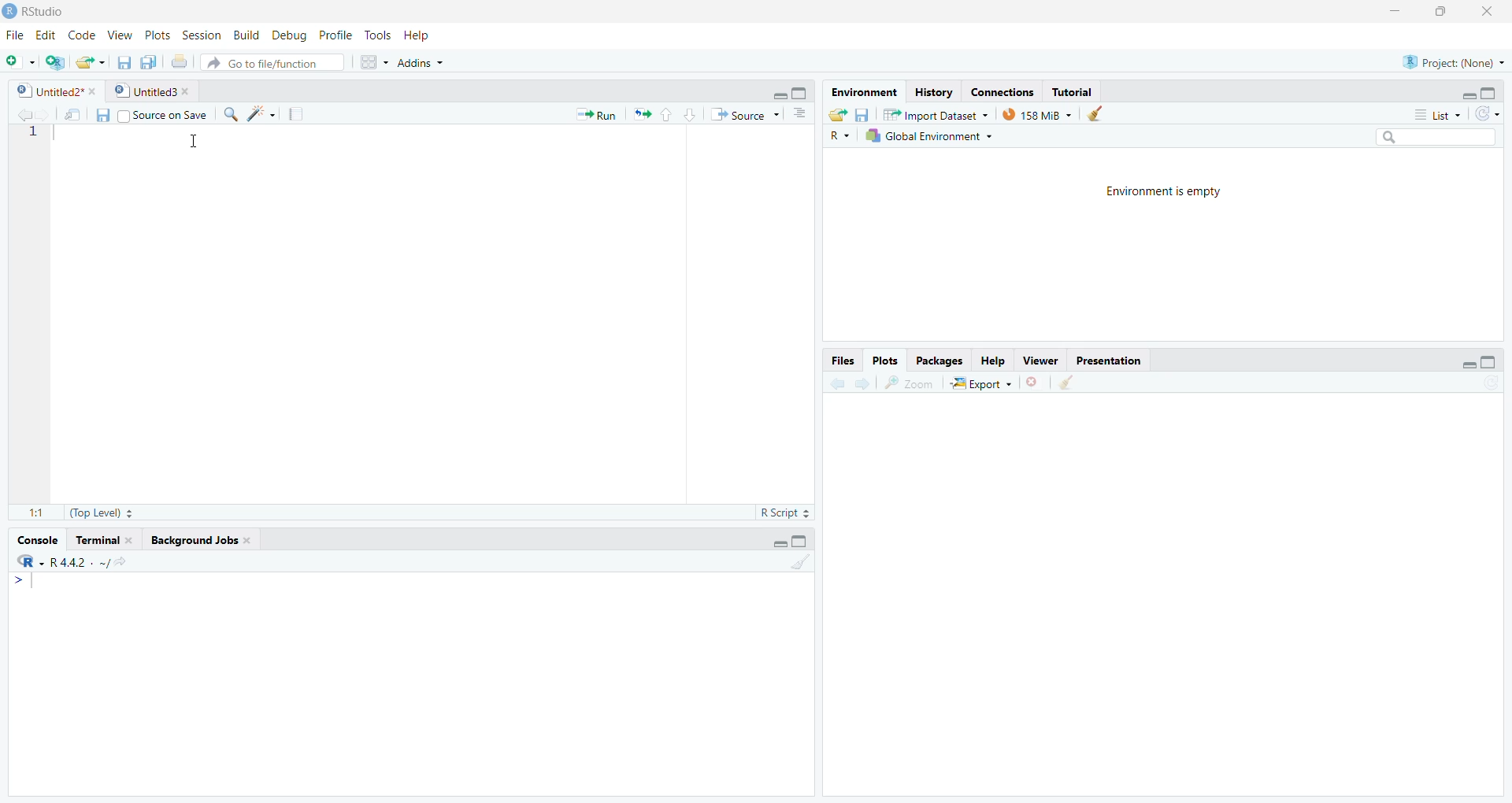 The width and height of the screenshot is (1512, 803). What do you see at coordinates (254, 113) in the screenshot?
I see `code block` at bounding box center [254, 113].